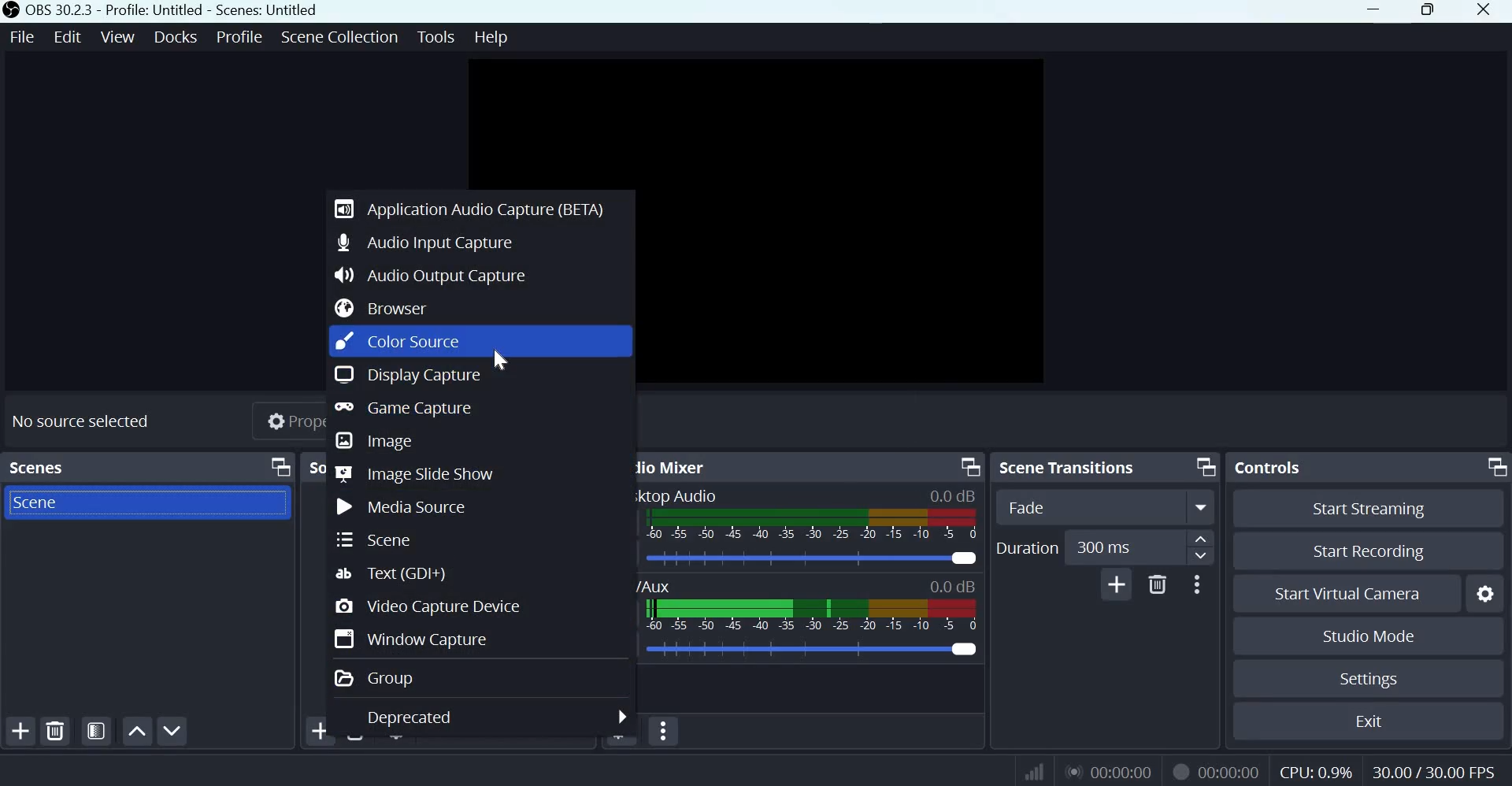 The width and height of the screenshot is (1512, 786). I want to click on Scene, so click(380, 538).